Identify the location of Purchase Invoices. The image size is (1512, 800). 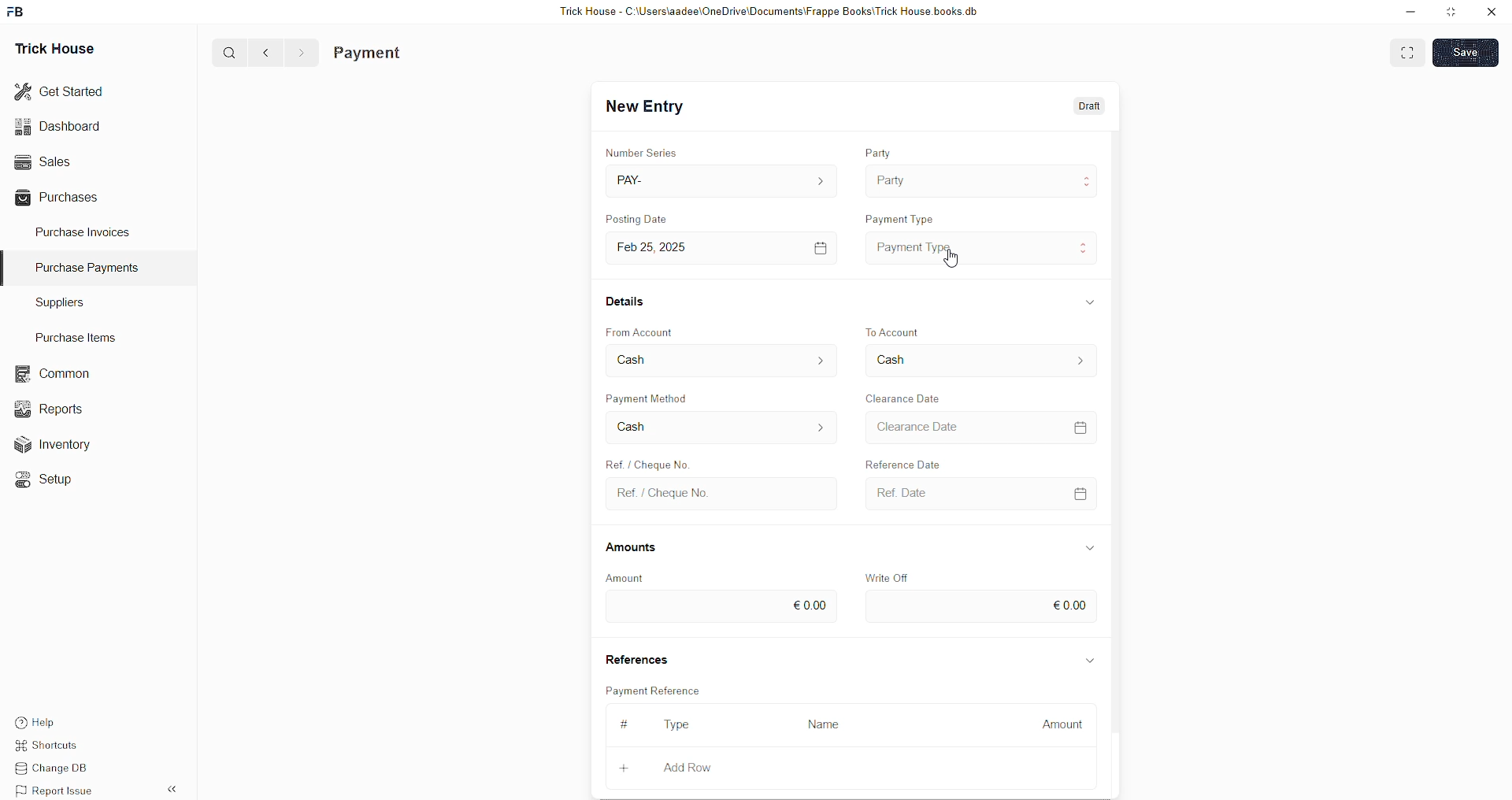
(85, 231).